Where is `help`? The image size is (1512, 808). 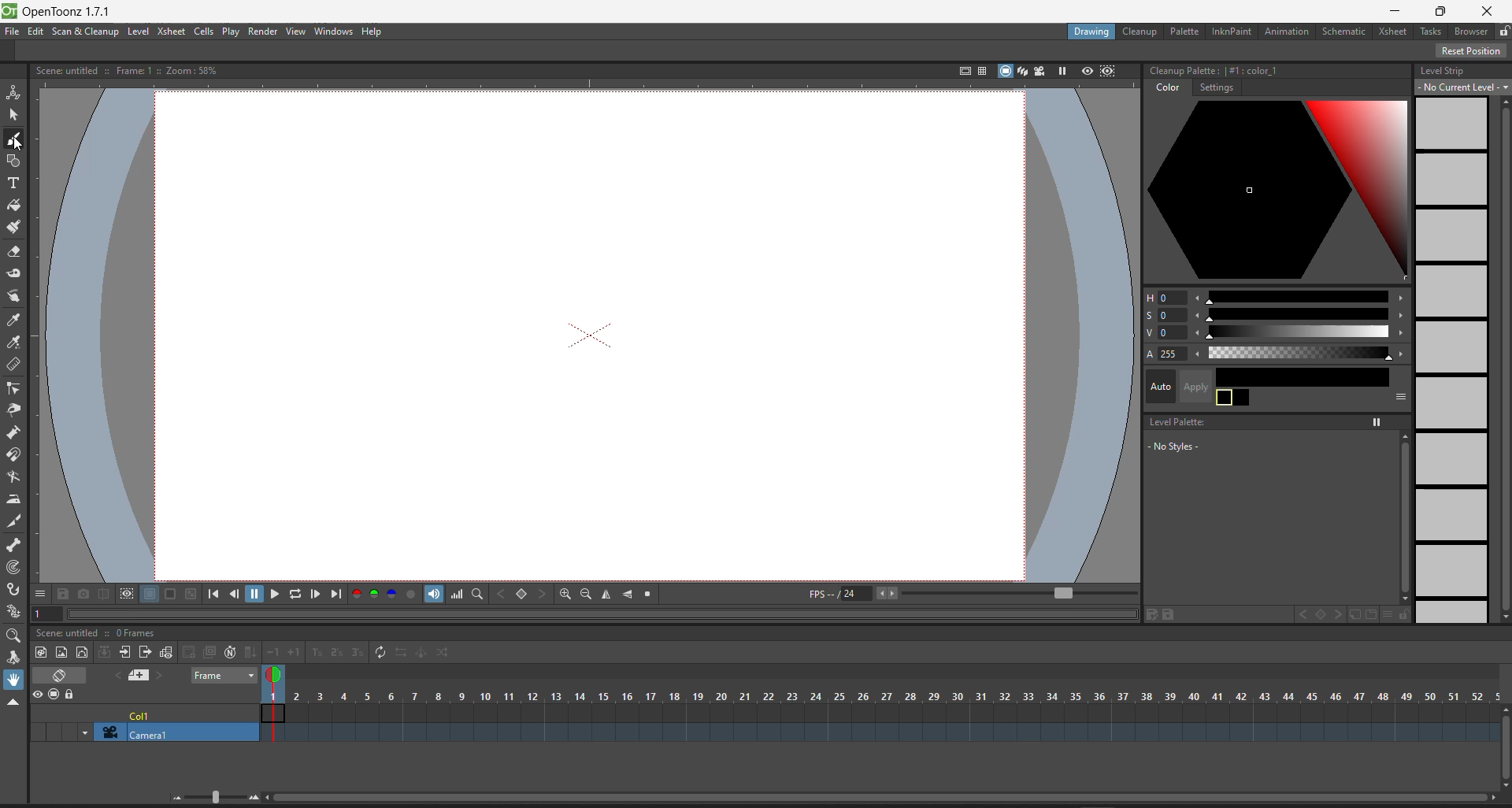
help is located at coordinates (375, 32).